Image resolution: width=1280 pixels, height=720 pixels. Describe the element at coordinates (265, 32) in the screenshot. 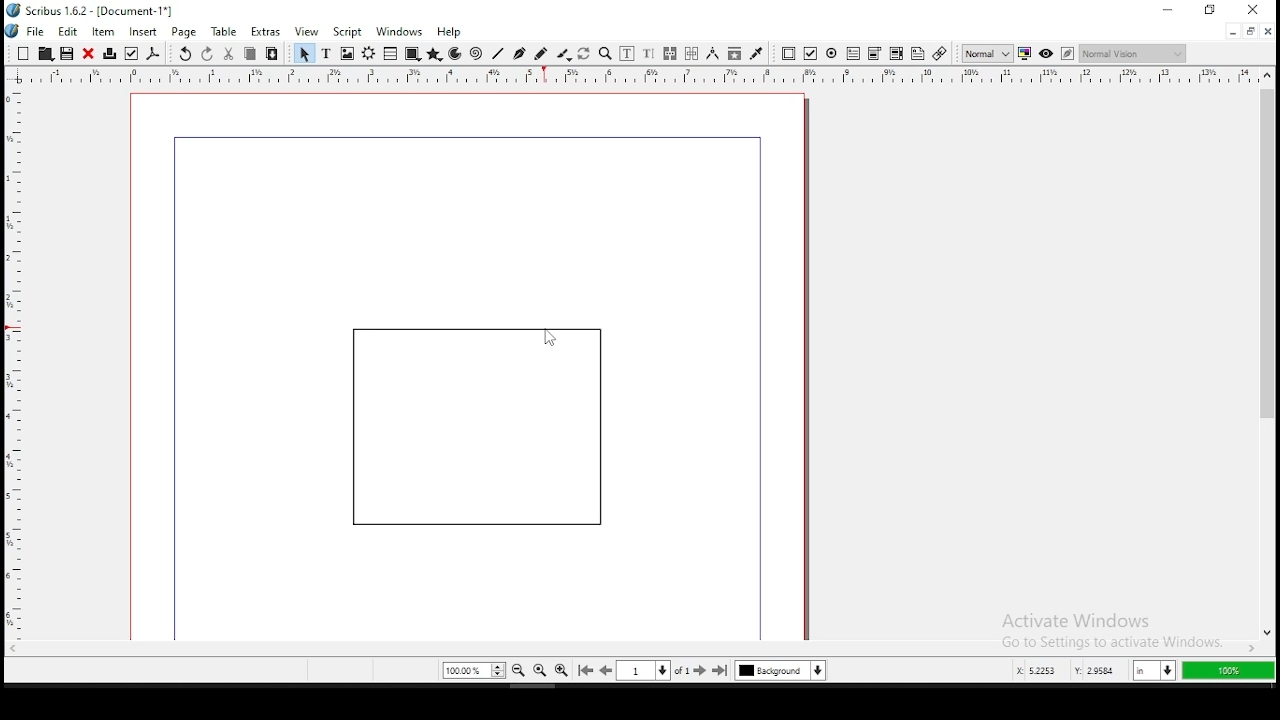

I see `extras` at that location.